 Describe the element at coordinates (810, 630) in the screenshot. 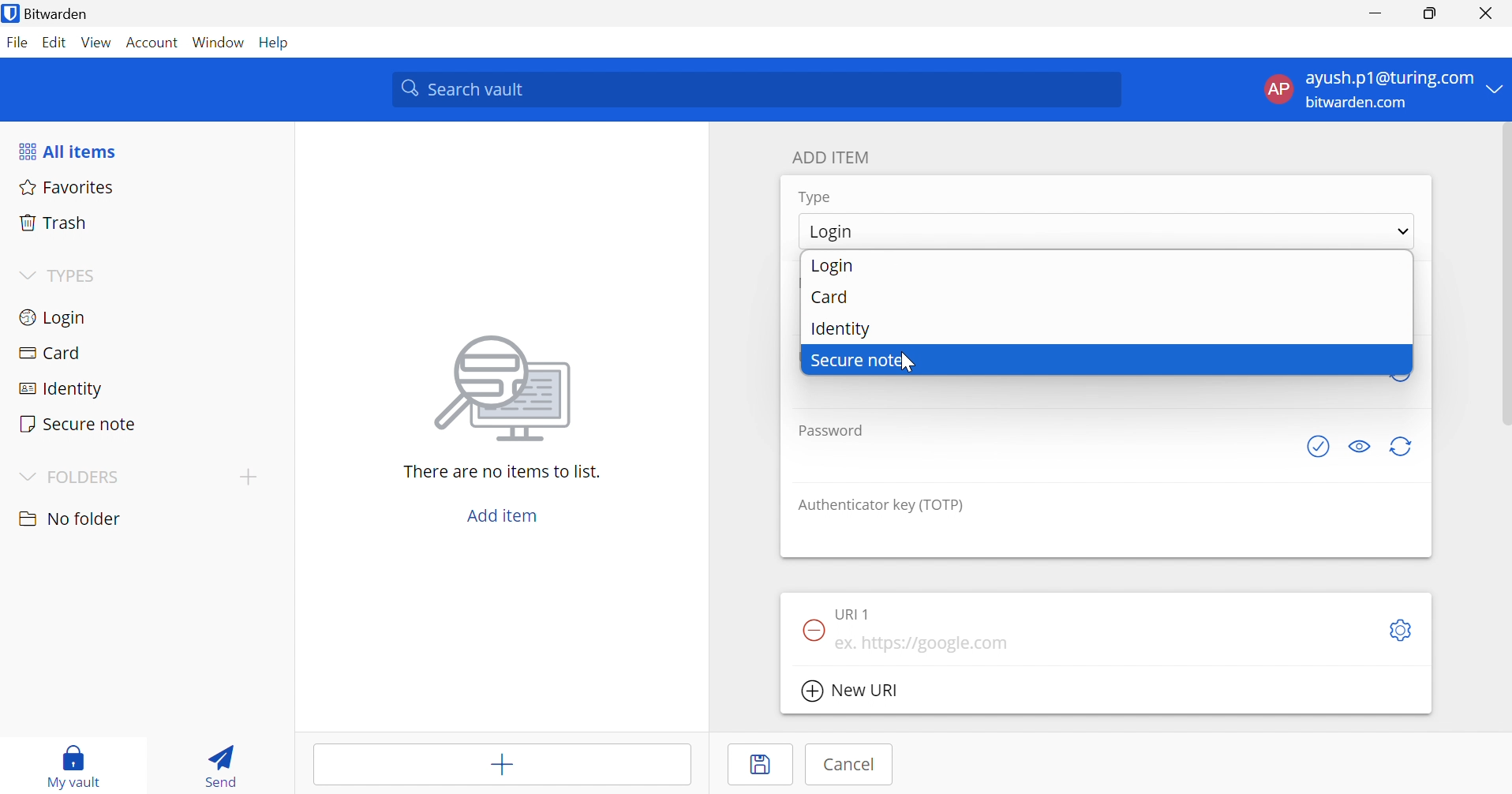

I see `Remove` at that location.